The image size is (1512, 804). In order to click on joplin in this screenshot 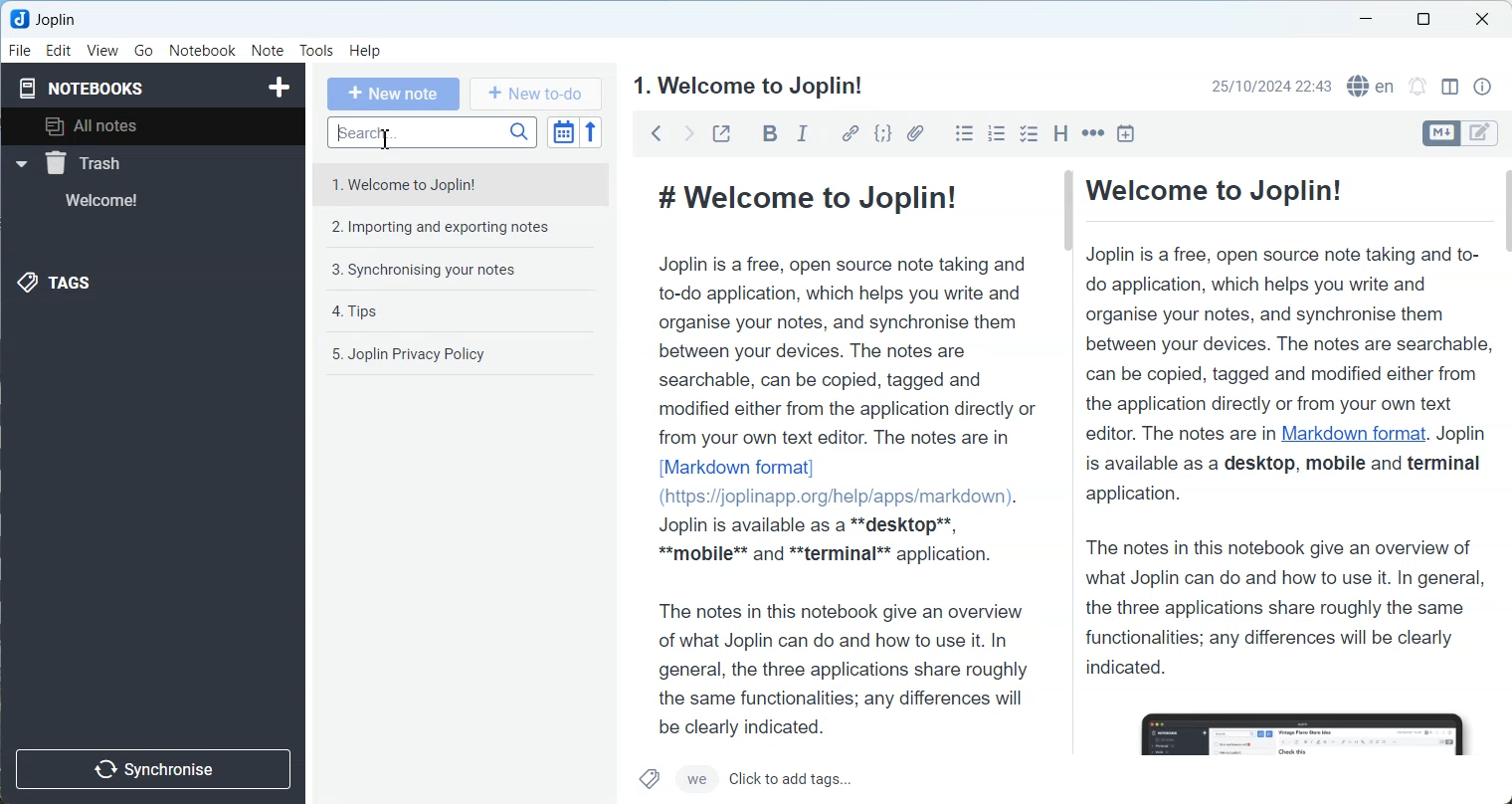, I will do `click(59, 19)`.